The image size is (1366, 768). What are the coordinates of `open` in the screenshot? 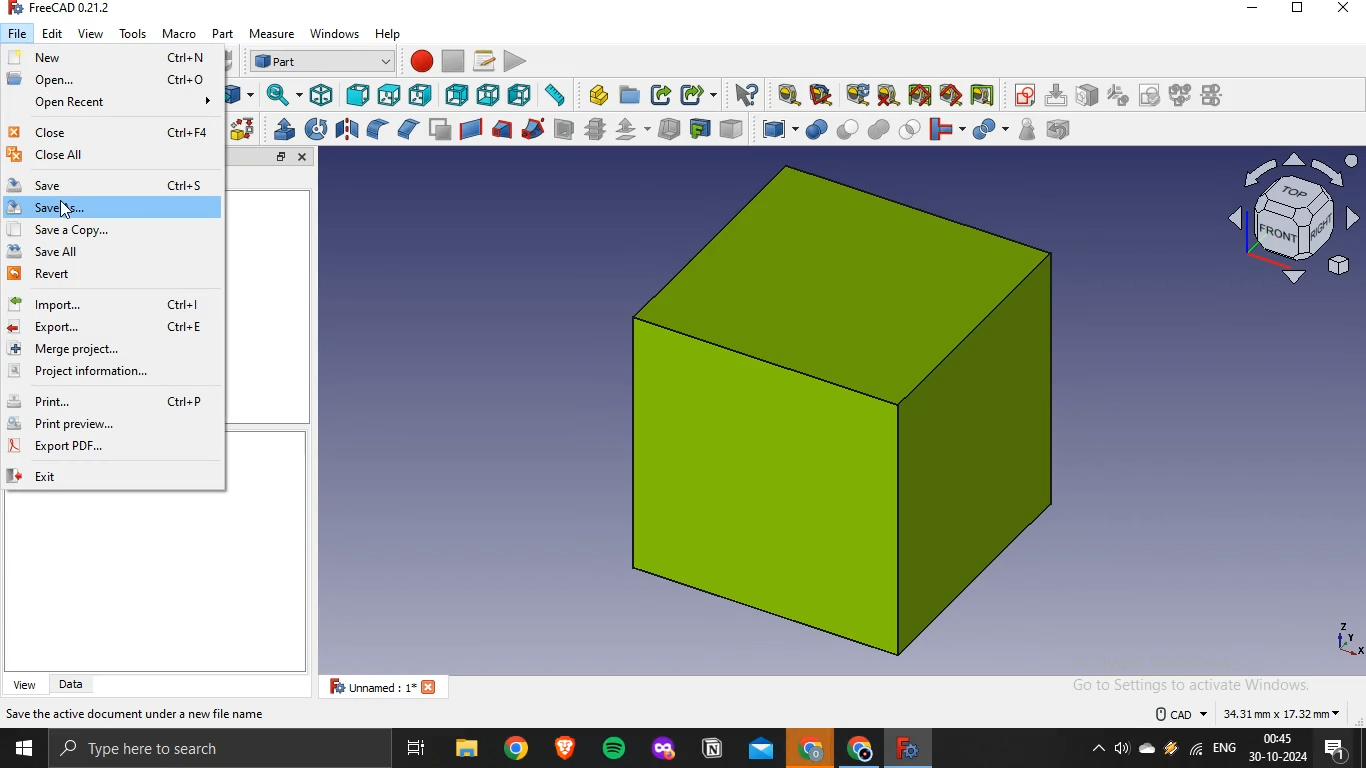 It's located at (109, 80).